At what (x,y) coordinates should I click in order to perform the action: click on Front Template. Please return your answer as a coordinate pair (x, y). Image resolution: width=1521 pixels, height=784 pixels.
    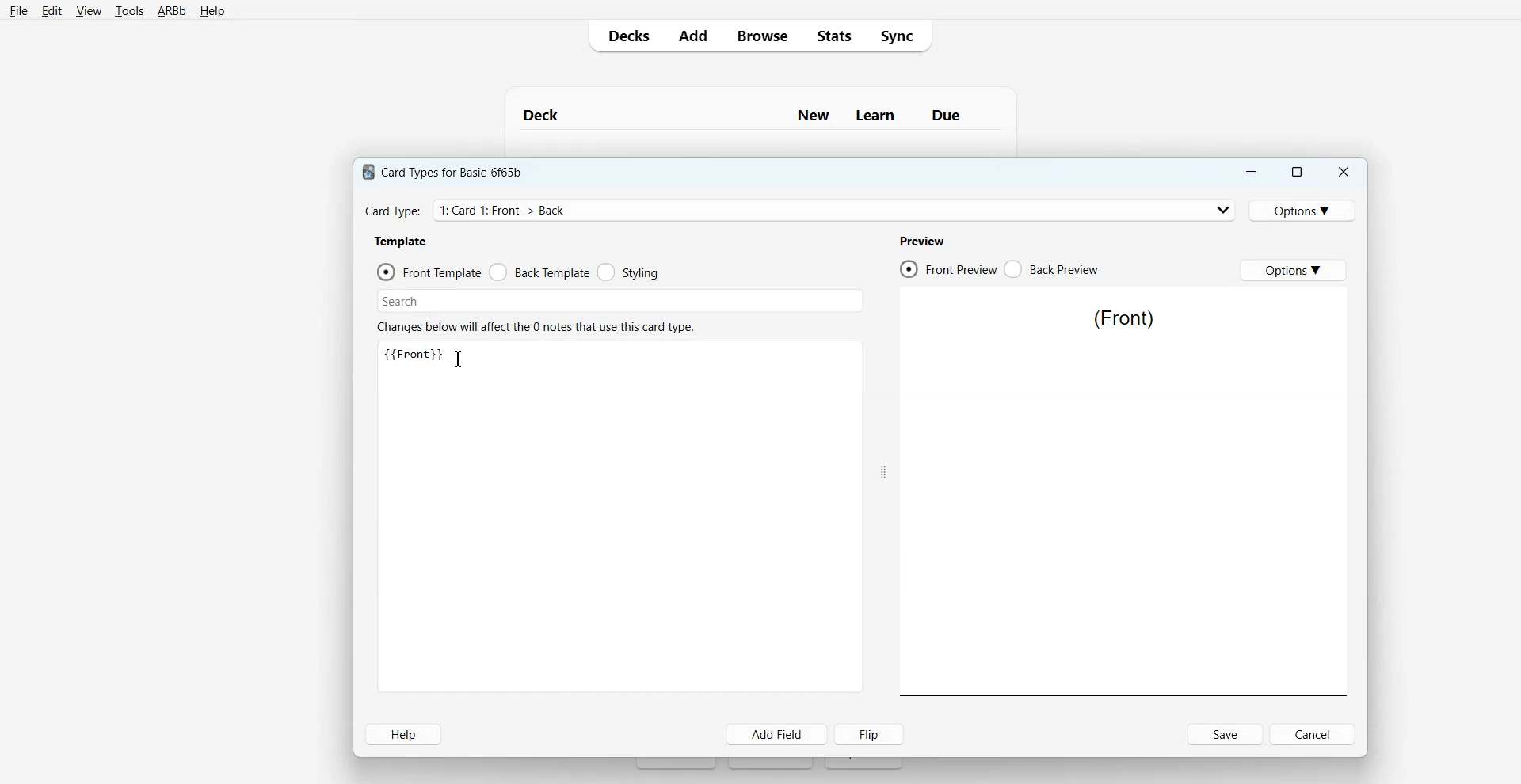
    Looking at the image, I should click on (429, 271).